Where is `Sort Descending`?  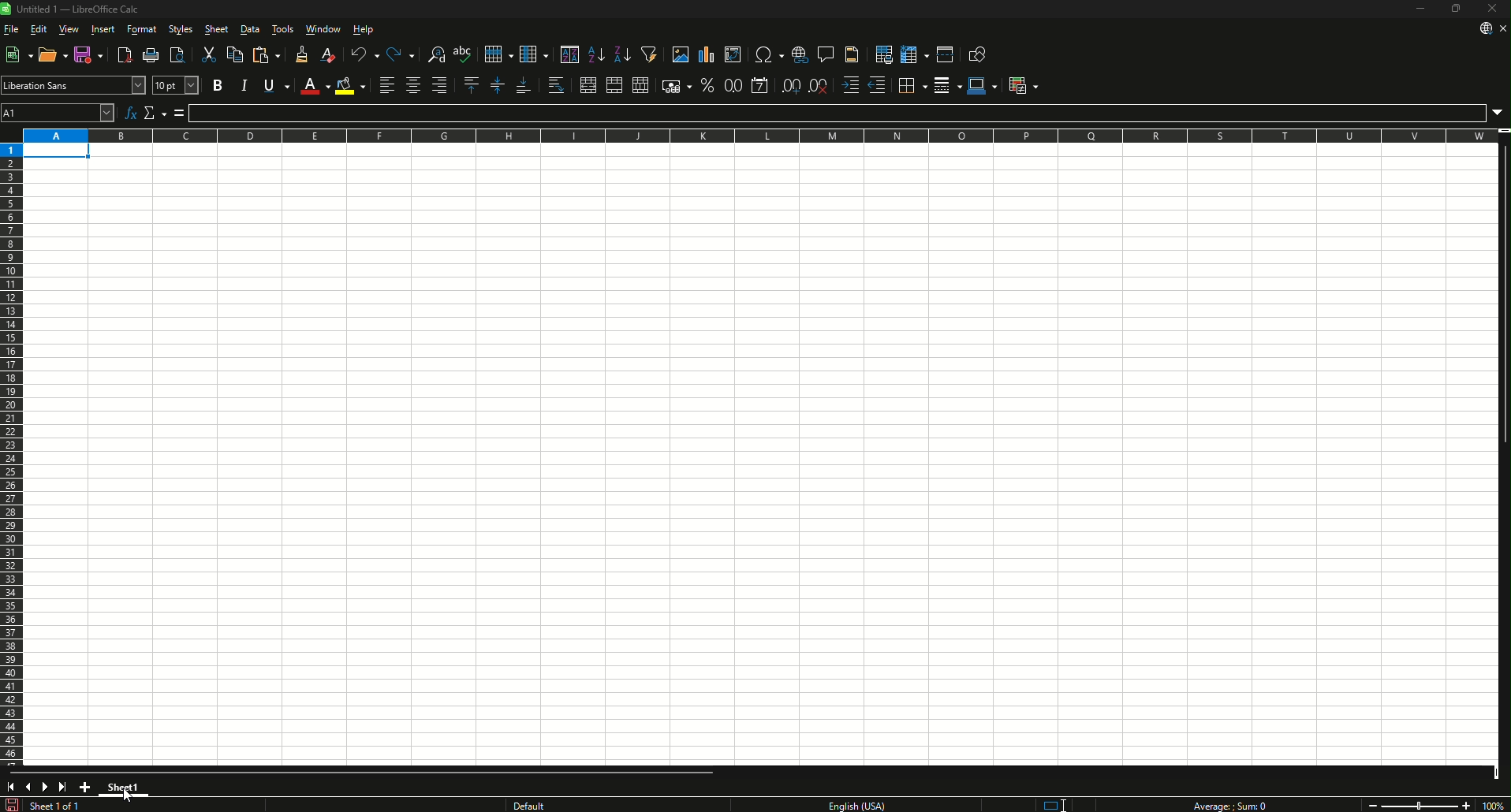 Sort Descending is located at coordinates (624, 54).